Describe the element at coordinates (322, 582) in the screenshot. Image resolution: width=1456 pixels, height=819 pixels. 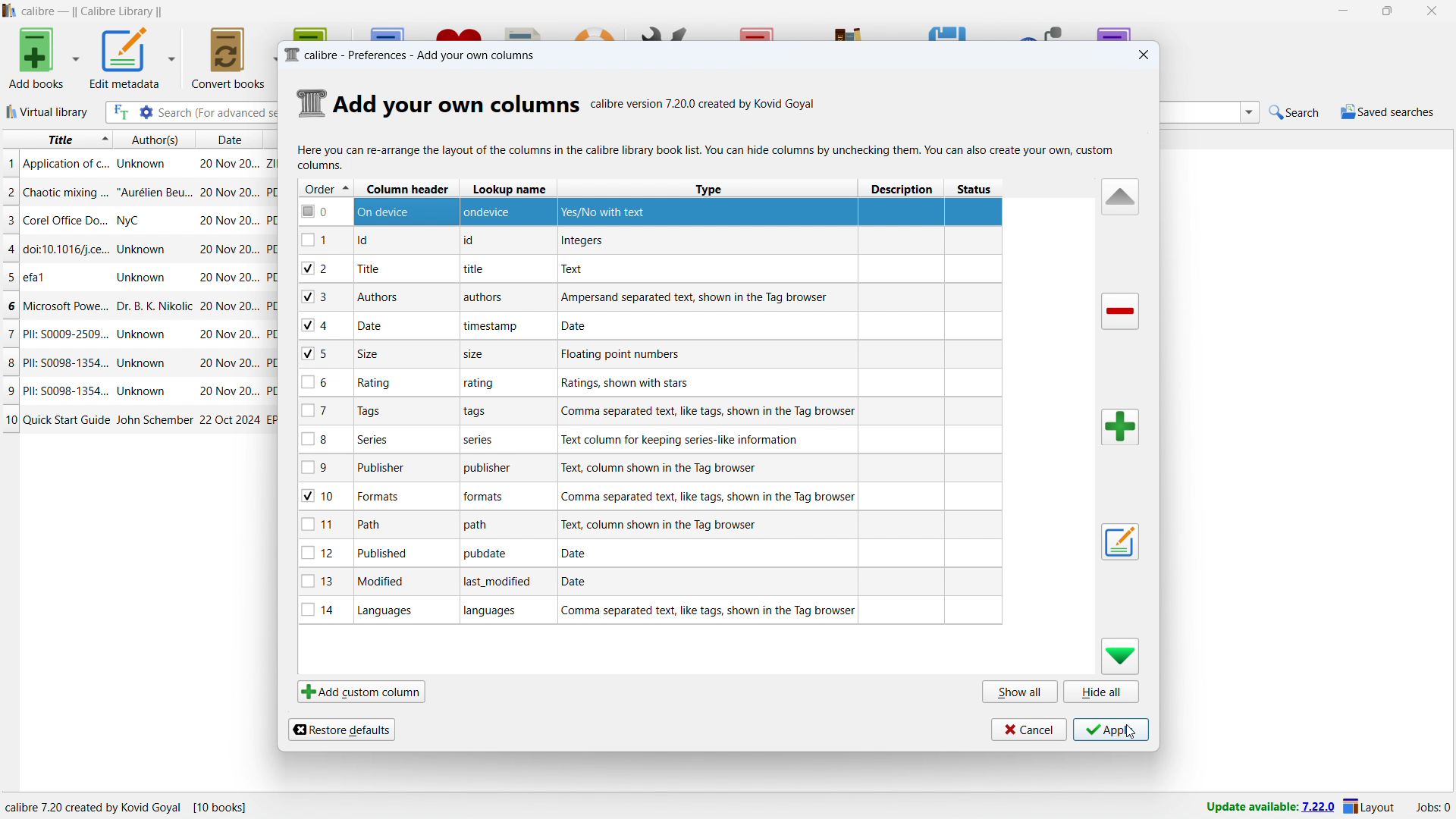
I see `13` at that location.